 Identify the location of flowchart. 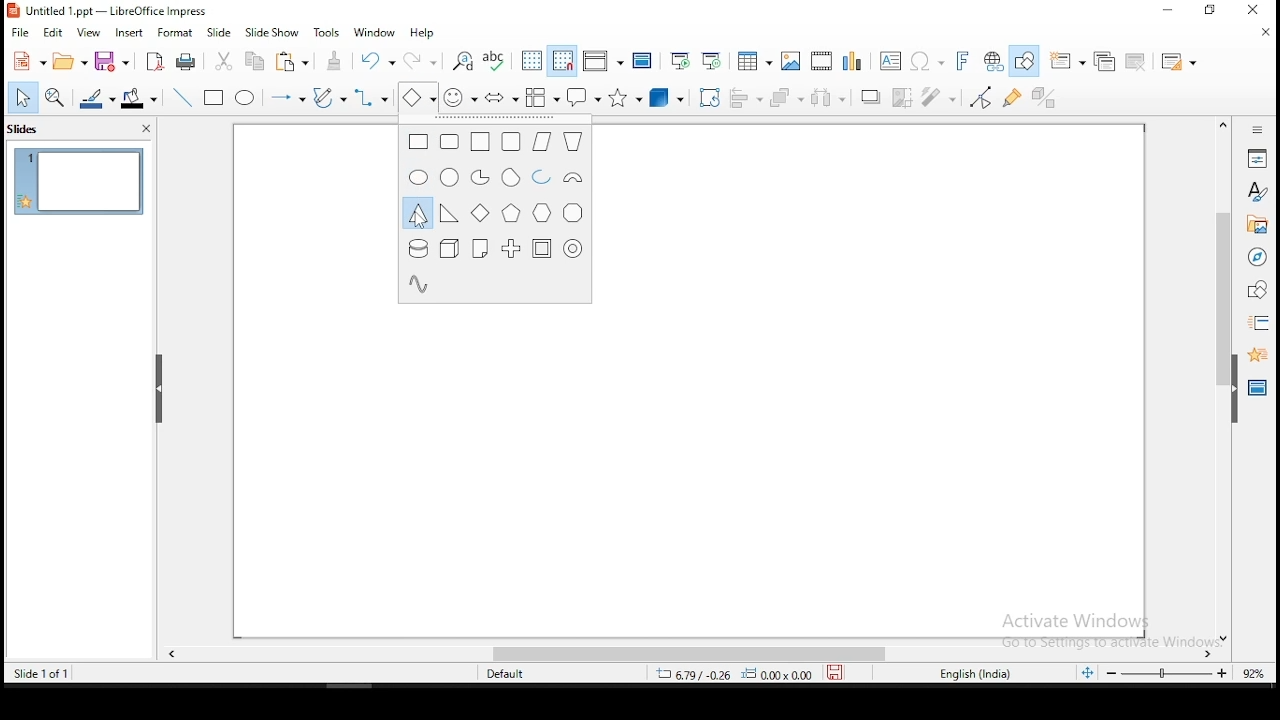
(543, 97).